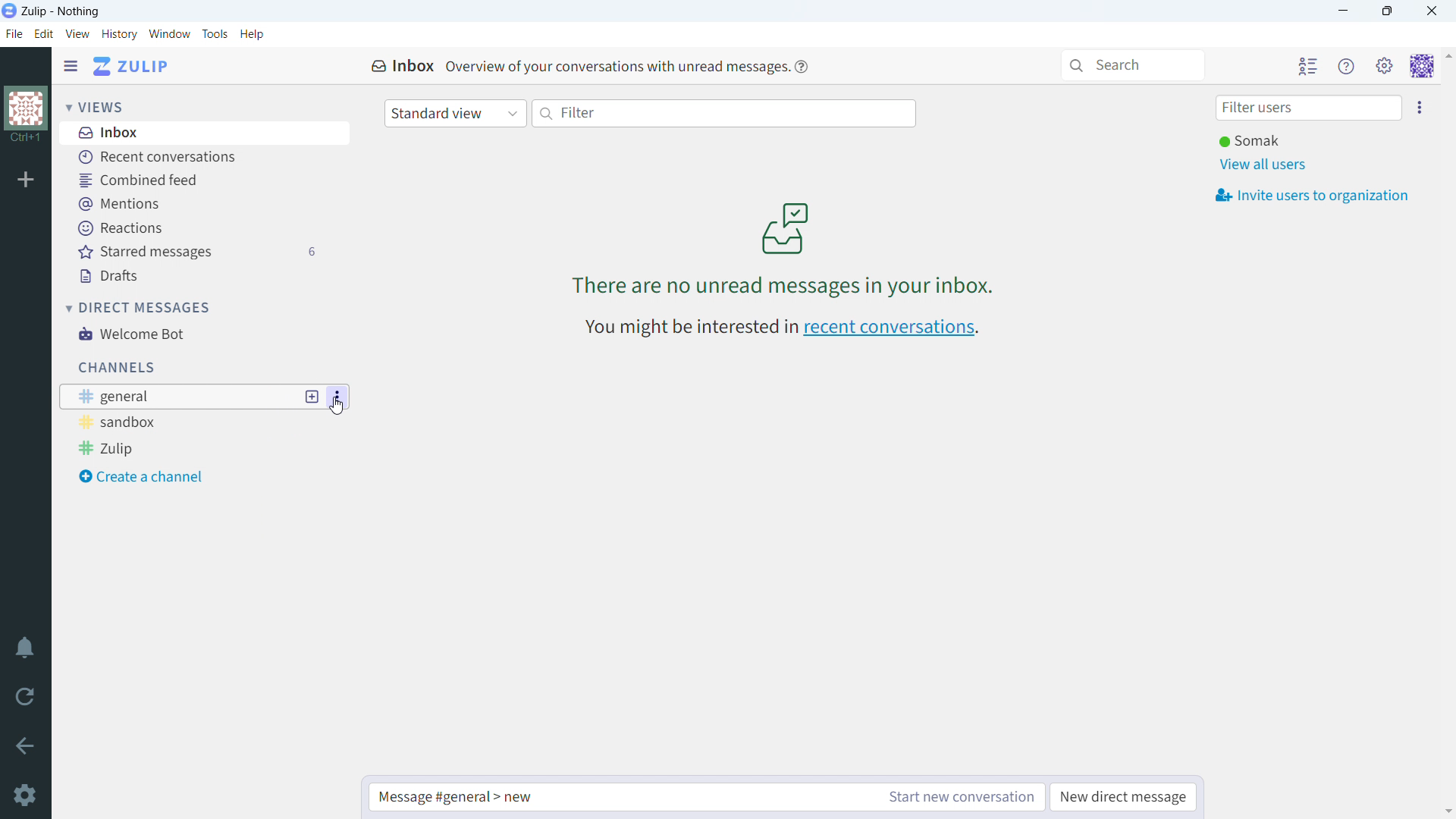 The height and width of the screenshot is (819, 1456). What do you see at coordinates (177, 397) in the screenshot?
I see `general` at bounding box center [177, 397].